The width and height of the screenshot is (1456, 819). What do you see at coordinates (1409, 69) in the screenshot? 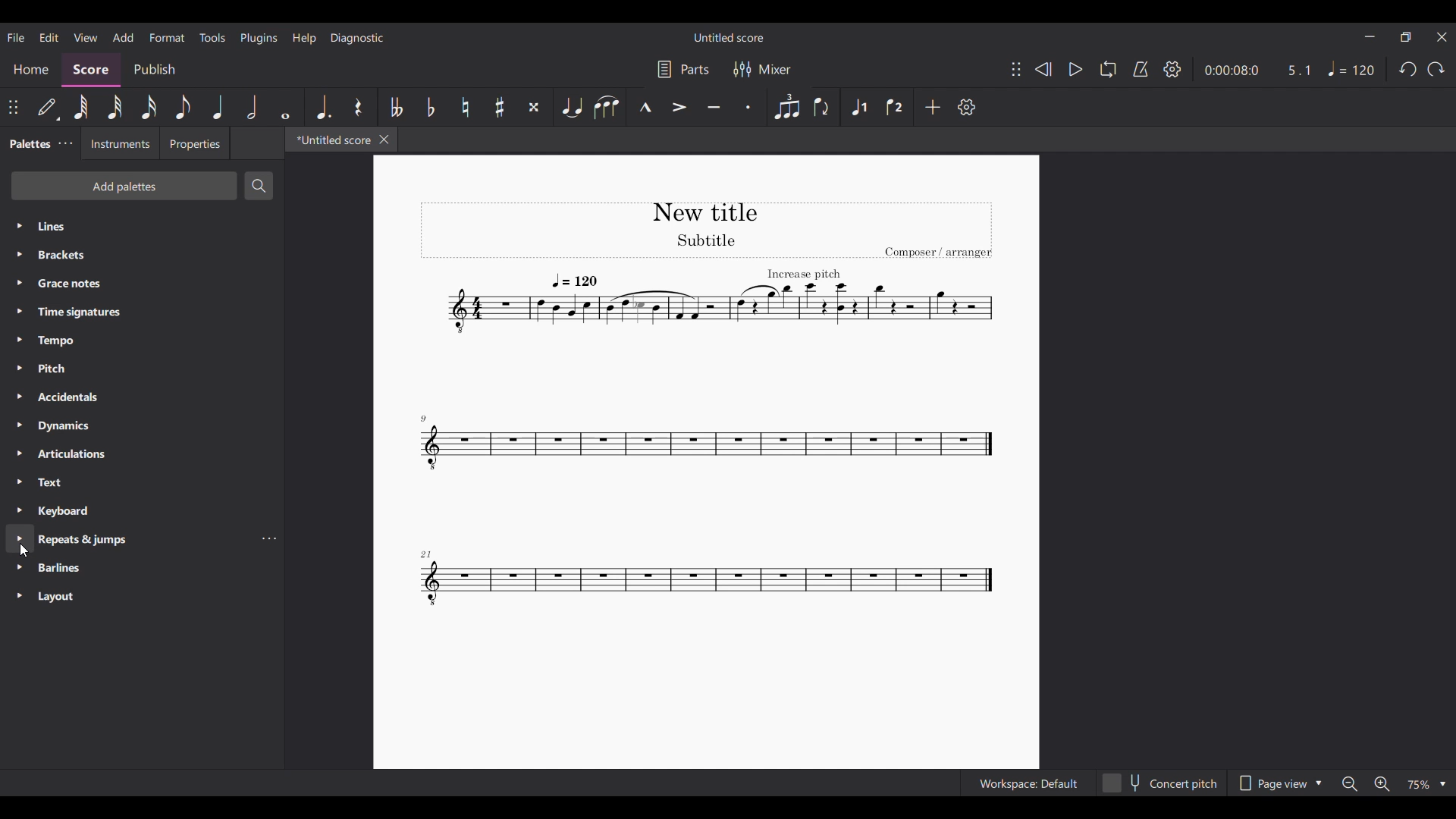
I see `Undo` at bounding box center [1409, 69].